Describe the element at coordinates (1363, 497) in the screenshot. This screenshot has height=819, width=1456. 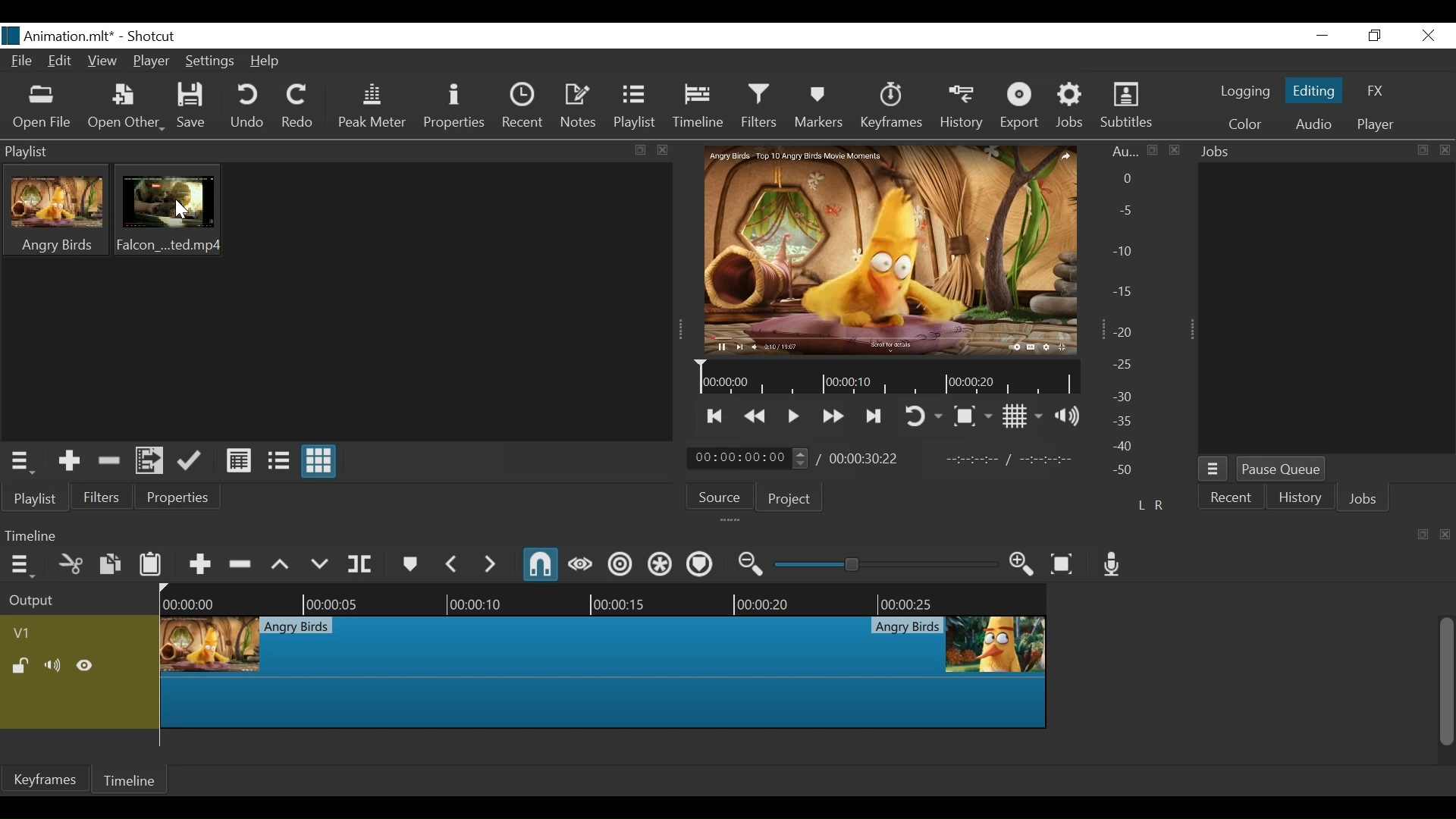
I see `Jobs ` at that location.